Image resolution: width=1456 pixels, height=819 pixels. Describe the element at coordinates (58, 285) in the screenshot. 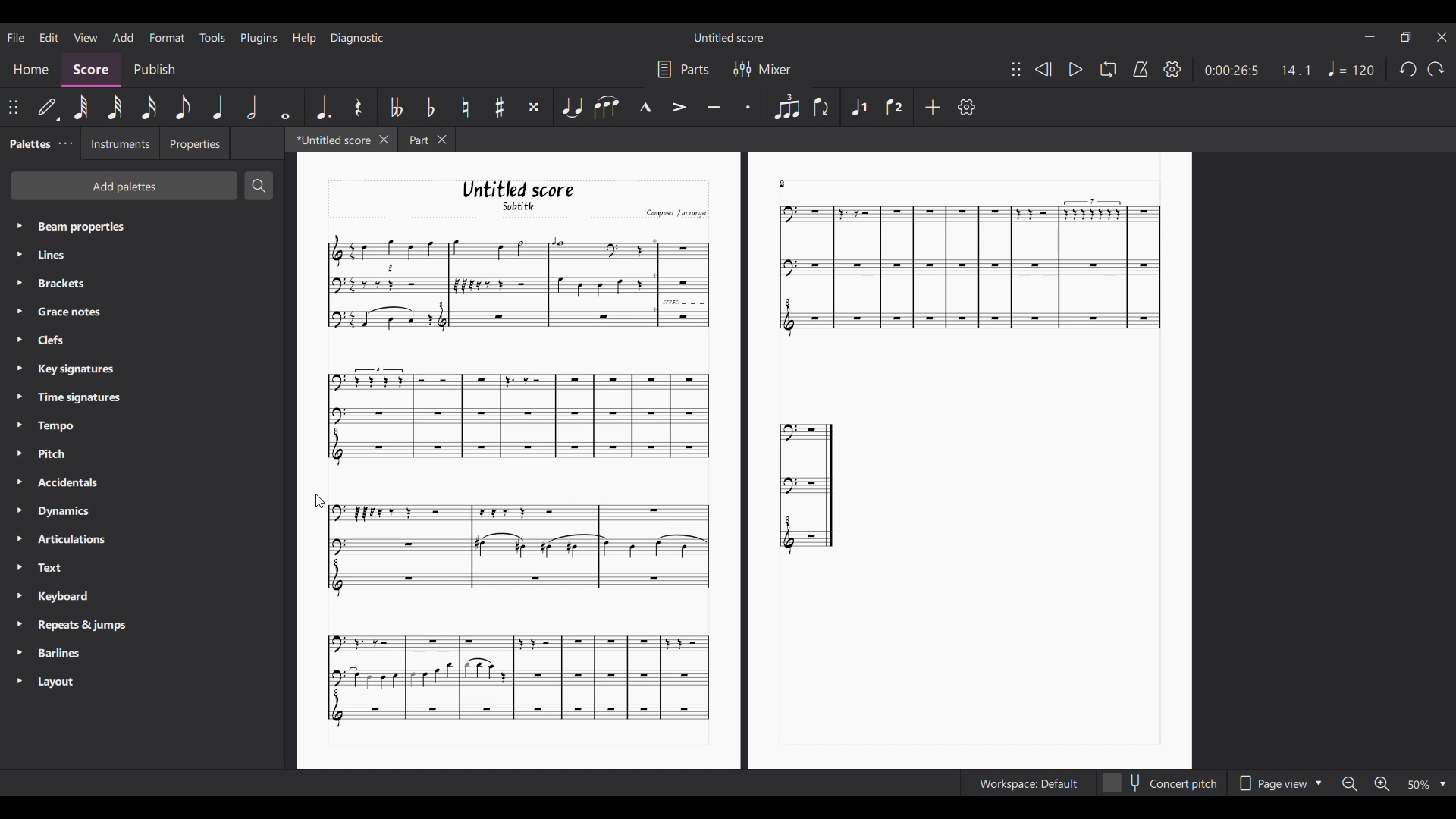

I see `» Brackets` at that location.